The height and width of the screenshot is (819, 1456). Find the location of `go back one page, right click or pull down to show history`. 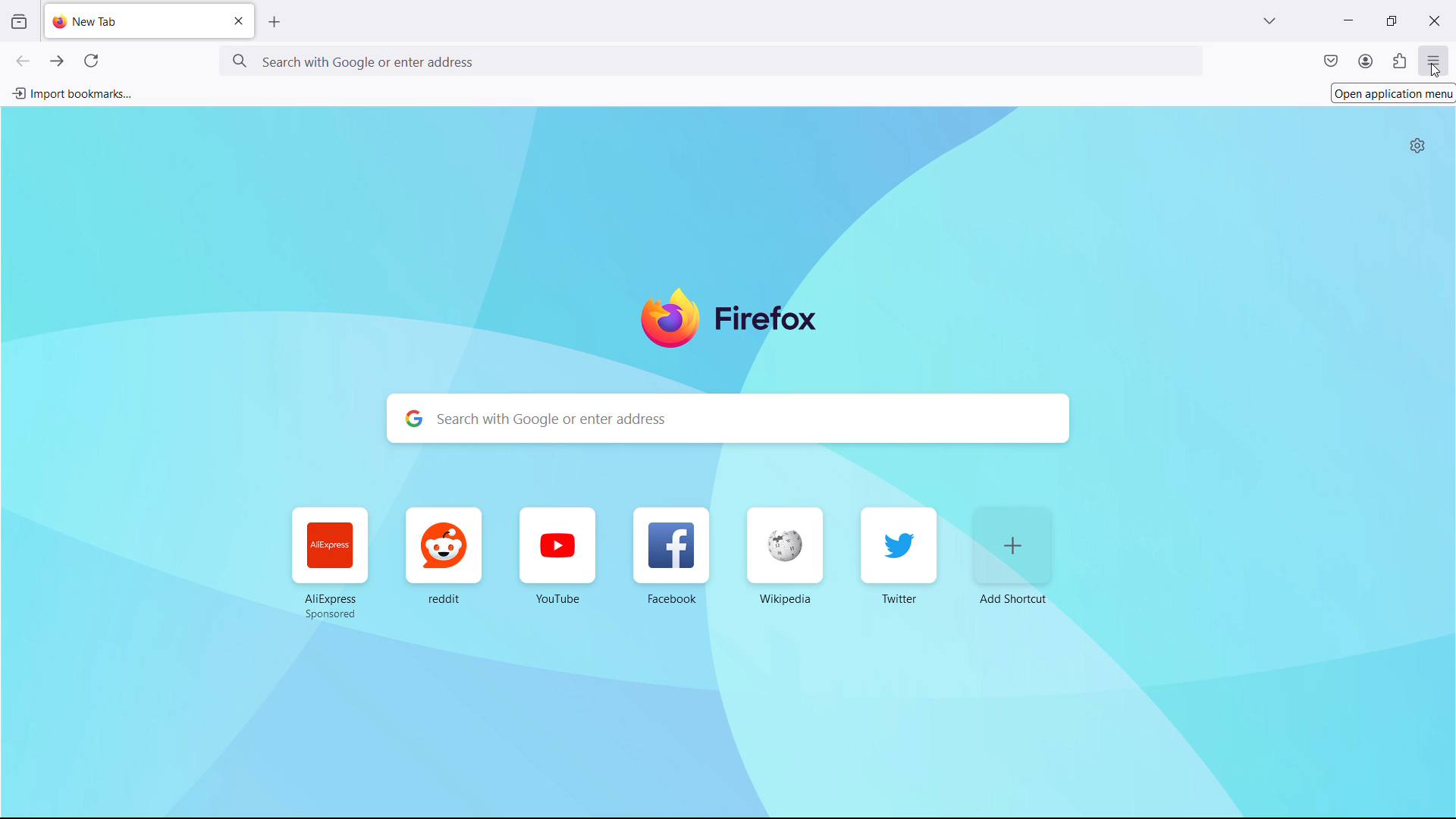

go back one page, right click or pull down to show history is located at coordinates (22, 61).